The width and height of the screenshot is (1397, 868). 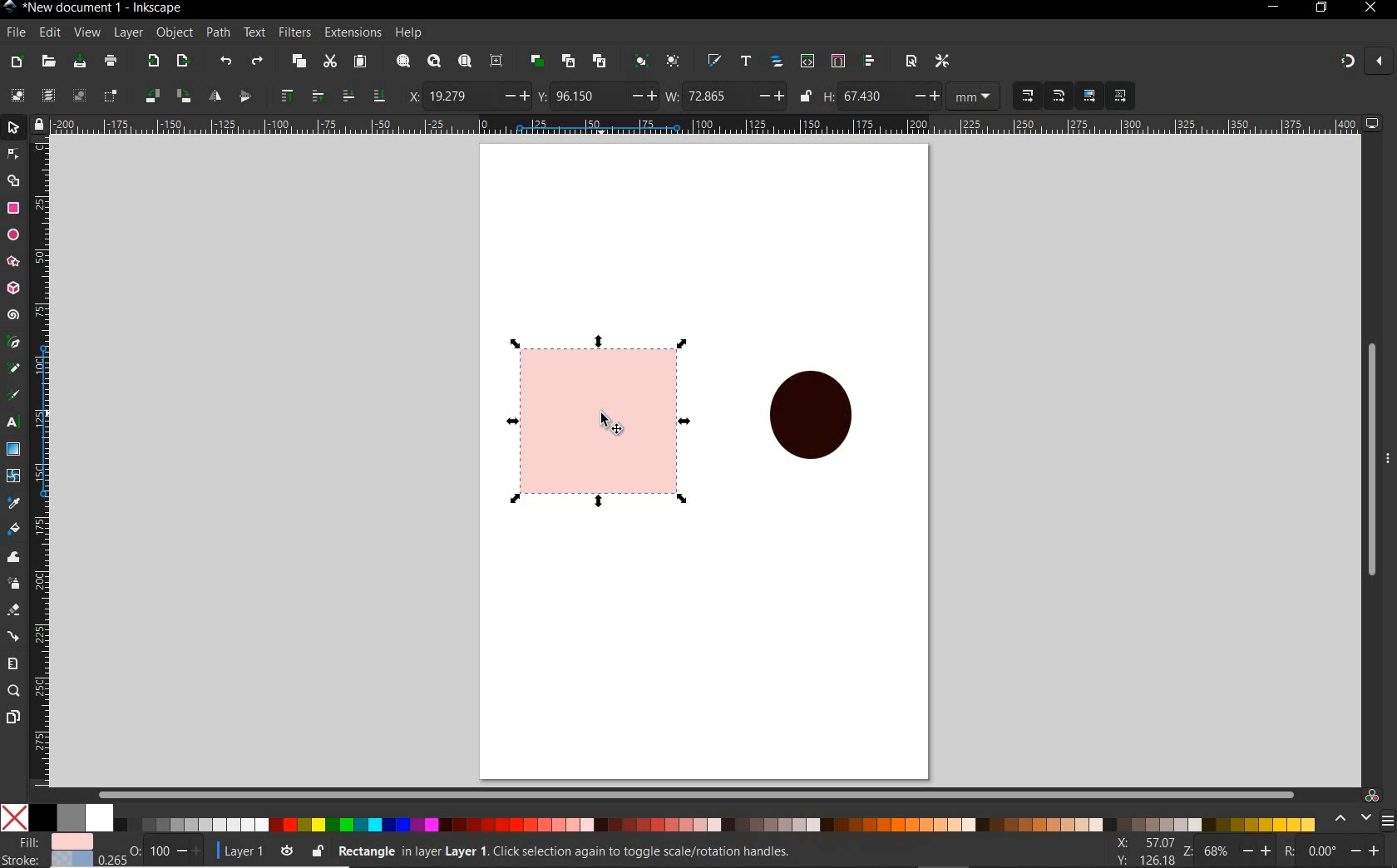 I want to click on tweak tool, so click(x=12, y=559).